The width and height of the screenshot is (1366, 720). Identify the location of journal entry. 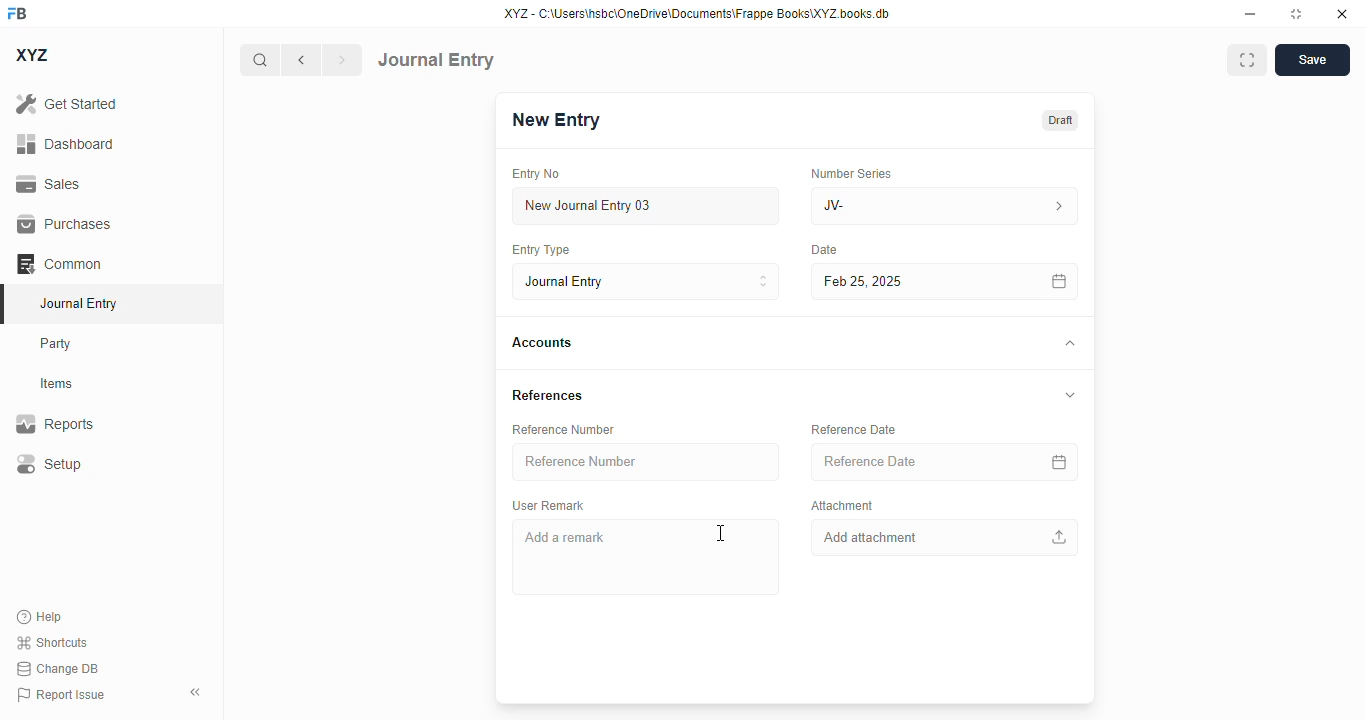
(436, 60).